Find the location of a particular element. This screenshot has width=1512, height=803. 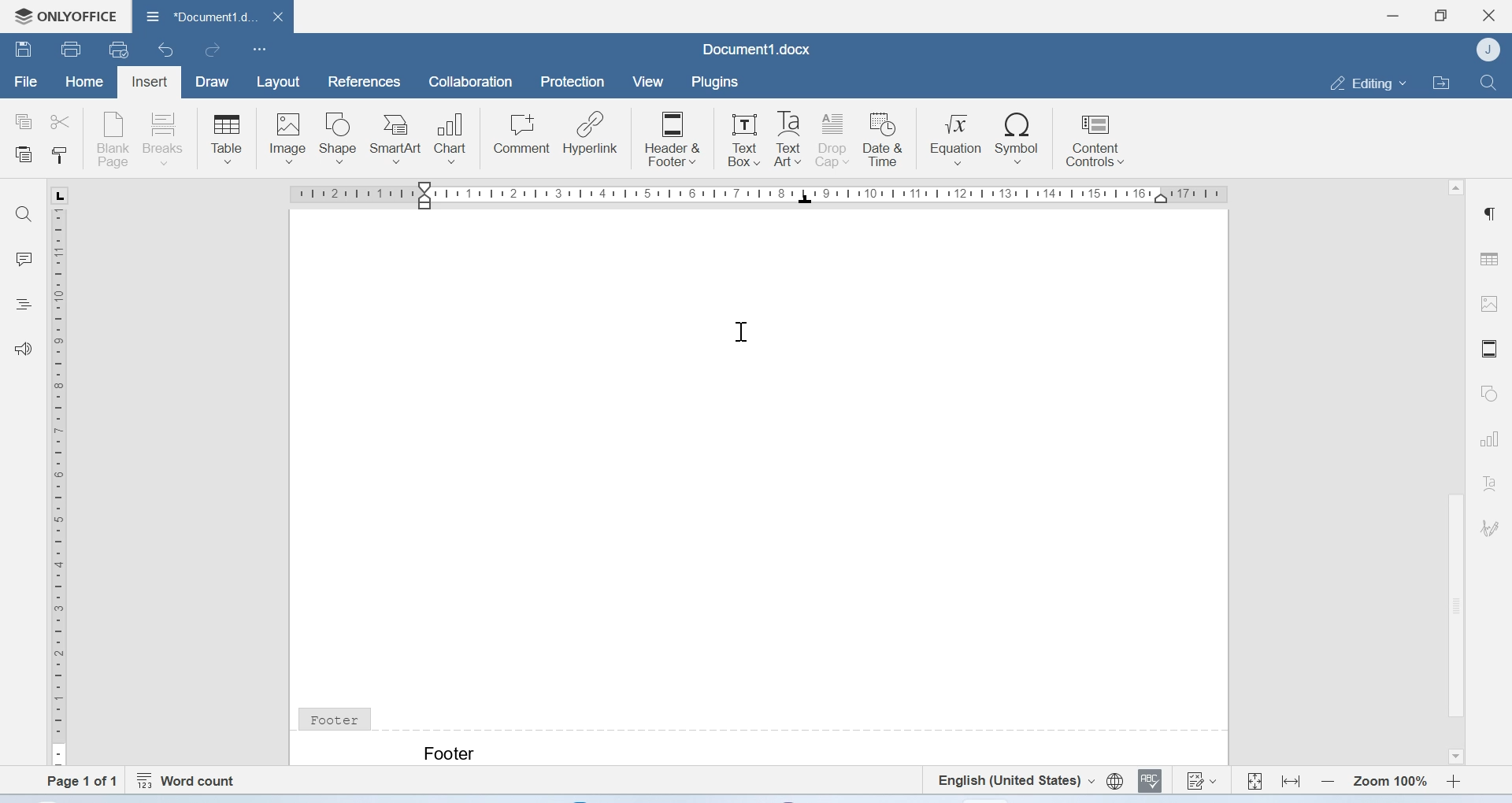

Text is located at coordinates (1489, 483).